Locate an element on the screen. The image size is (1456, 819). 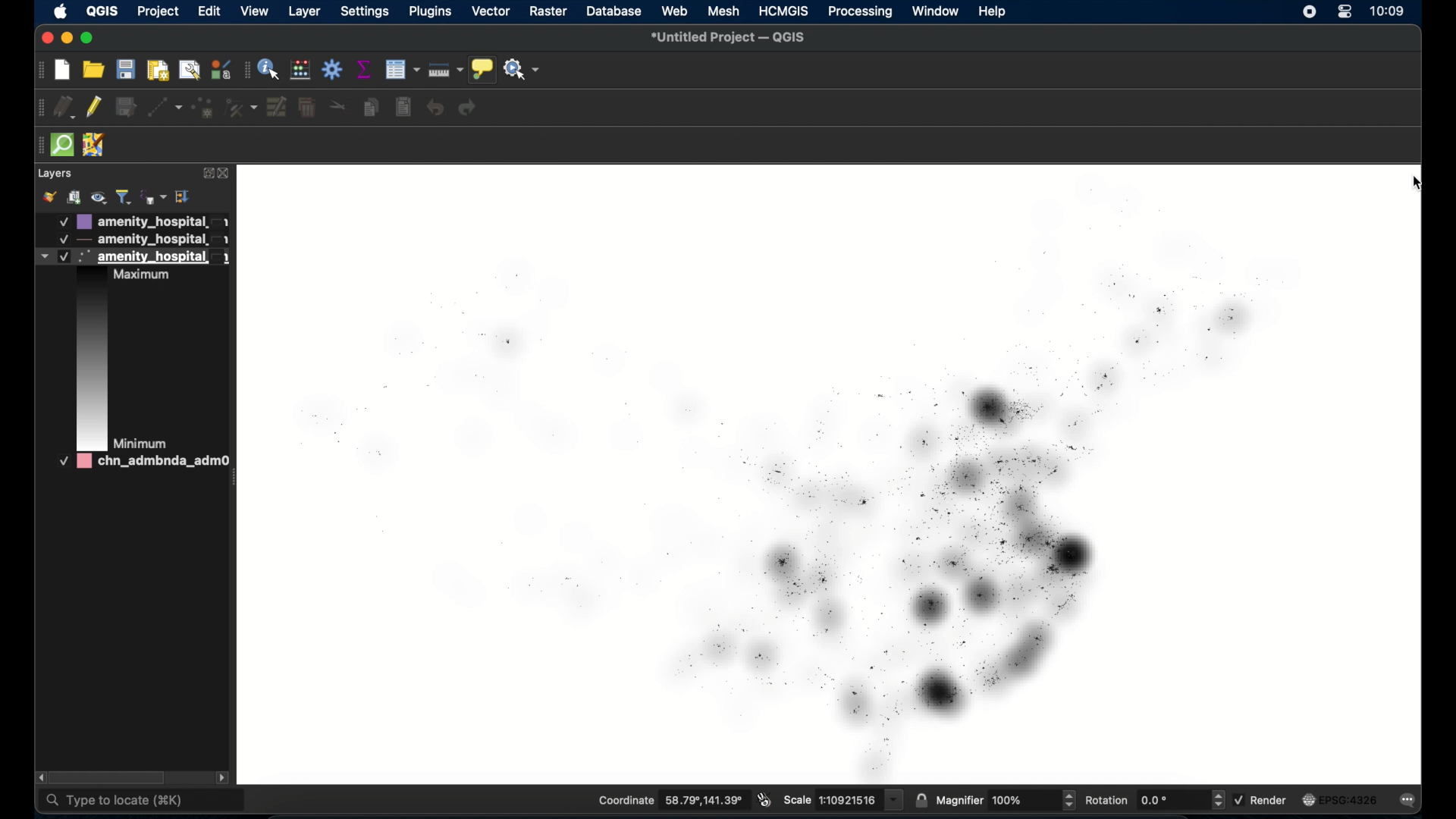
layer 3 is located at coordinates (158, 256).